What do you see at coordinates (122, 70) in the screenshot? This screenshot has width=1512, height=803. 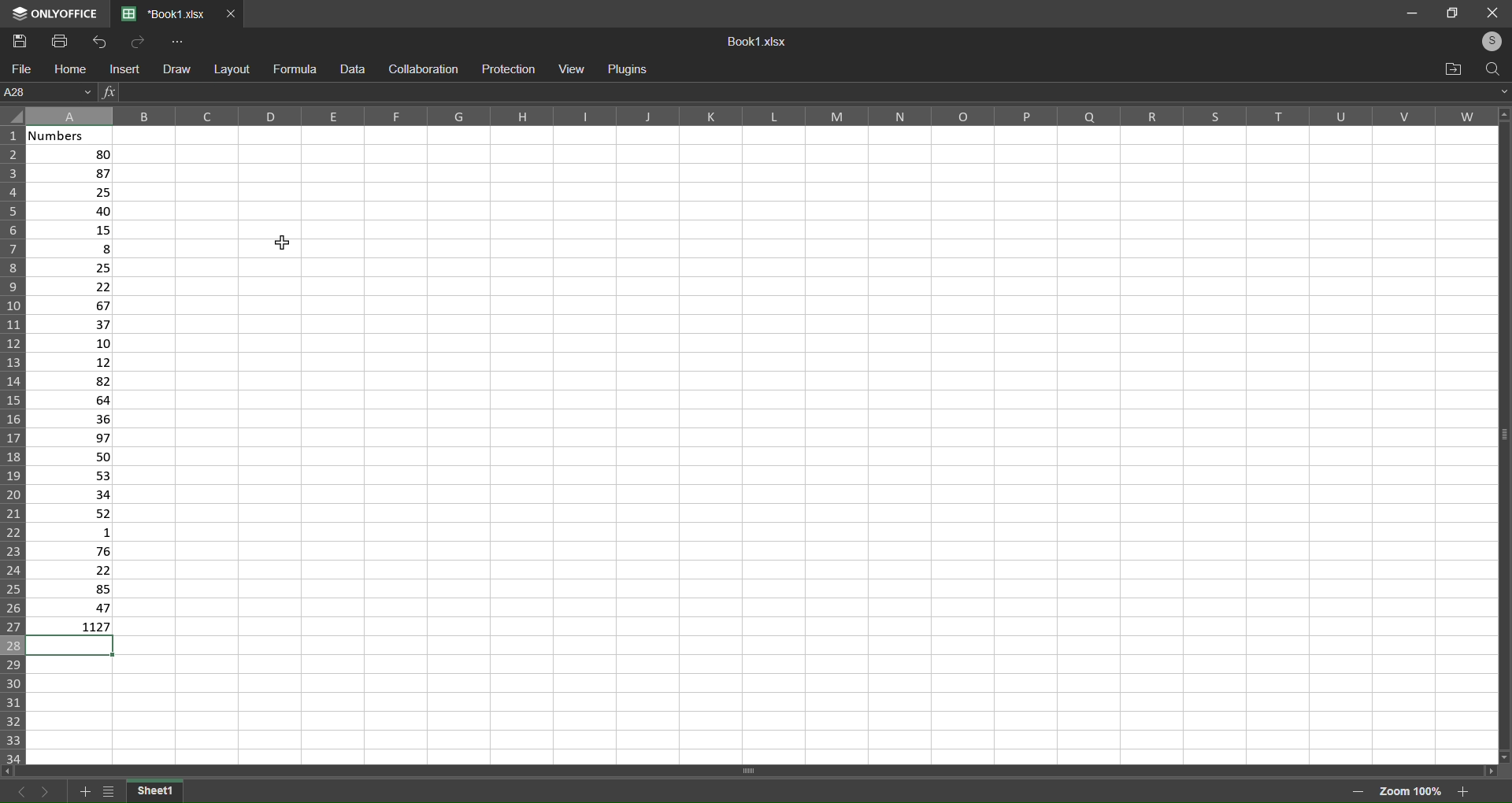 I see `insert` at bounding box center [122, 70].